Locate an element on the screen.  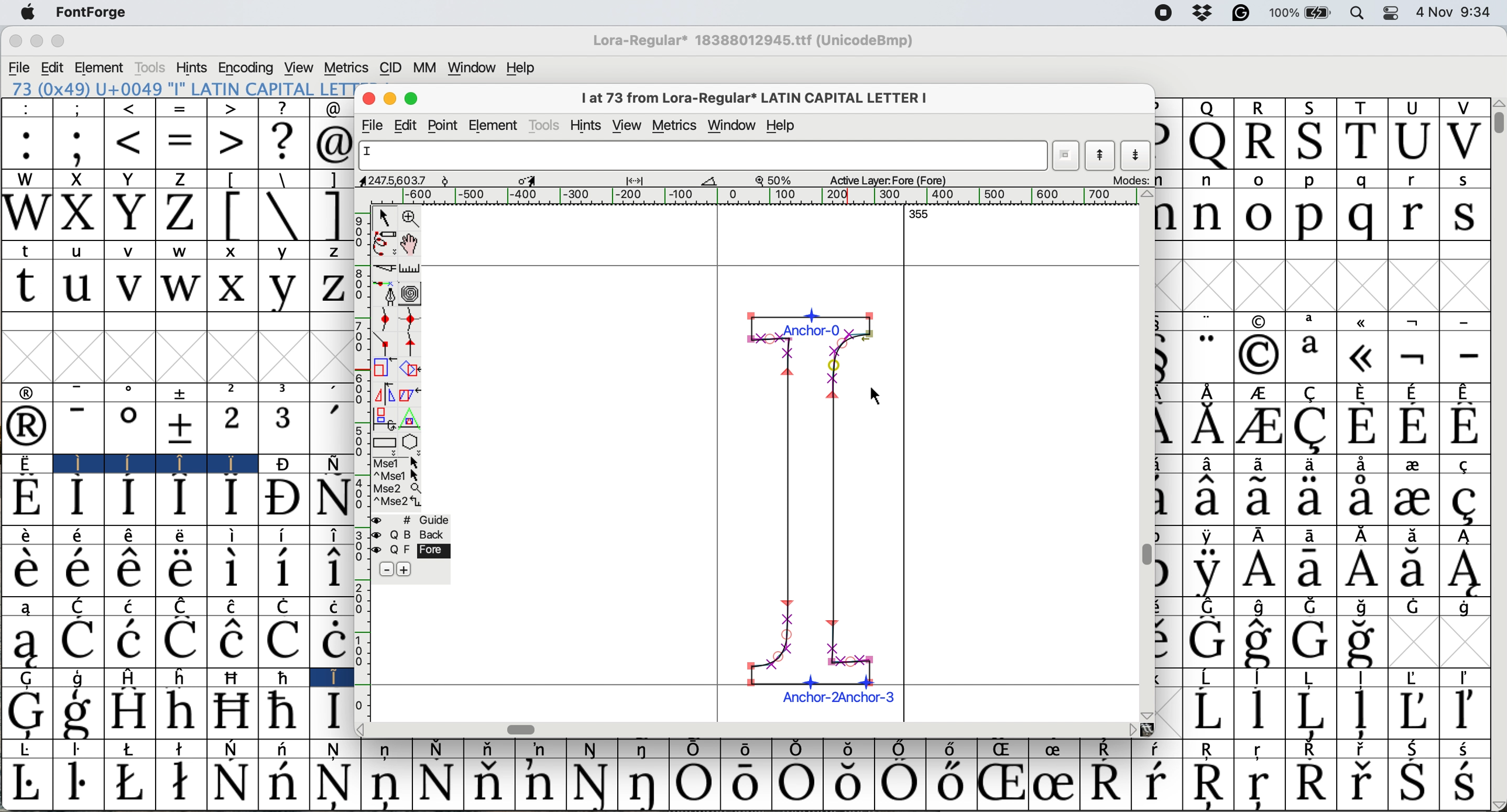
Symbol is located at coordinates (1465, 784).